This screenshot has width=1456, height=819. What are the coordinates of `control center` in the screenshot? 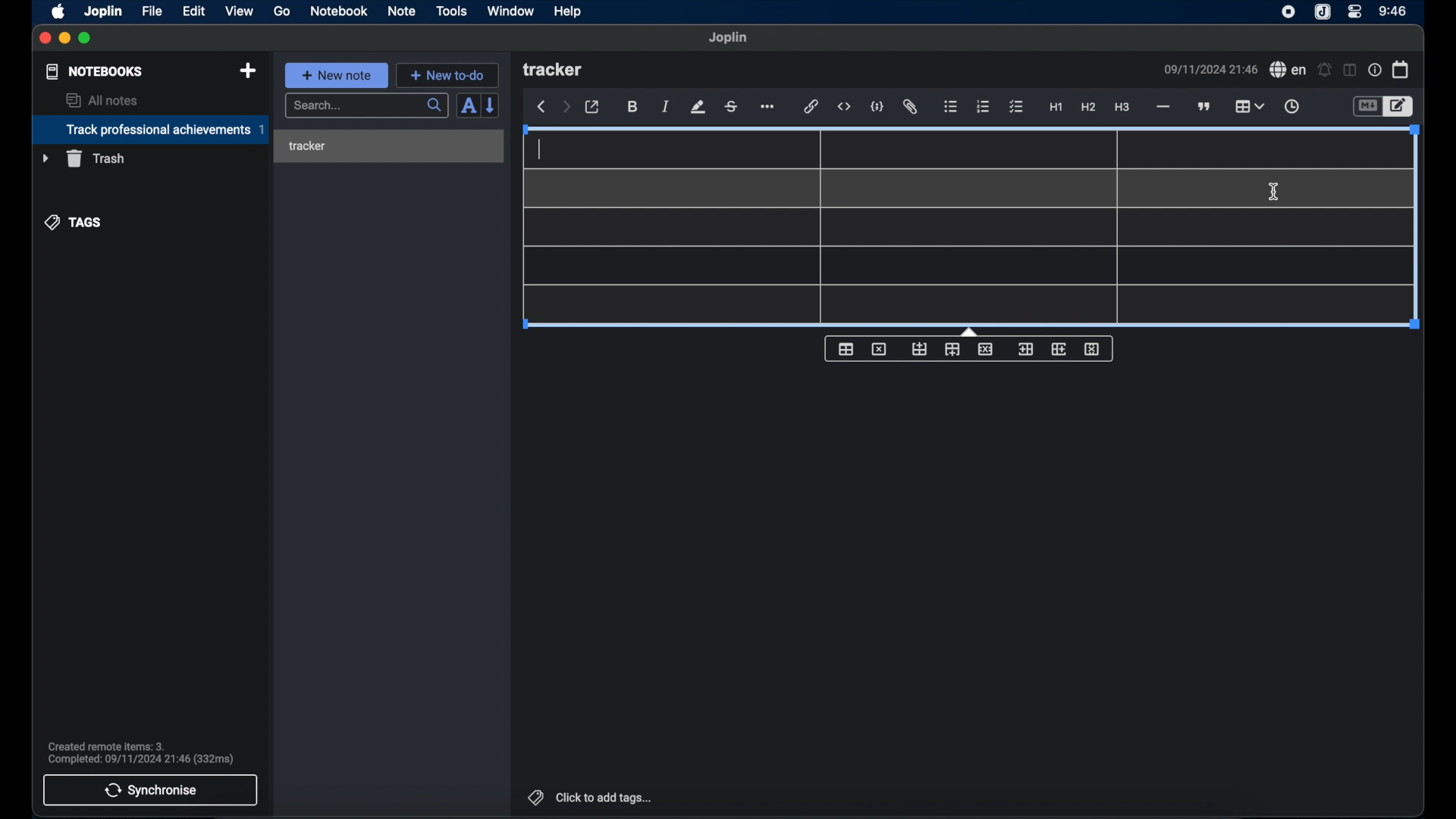 It's located at (1355, 12).